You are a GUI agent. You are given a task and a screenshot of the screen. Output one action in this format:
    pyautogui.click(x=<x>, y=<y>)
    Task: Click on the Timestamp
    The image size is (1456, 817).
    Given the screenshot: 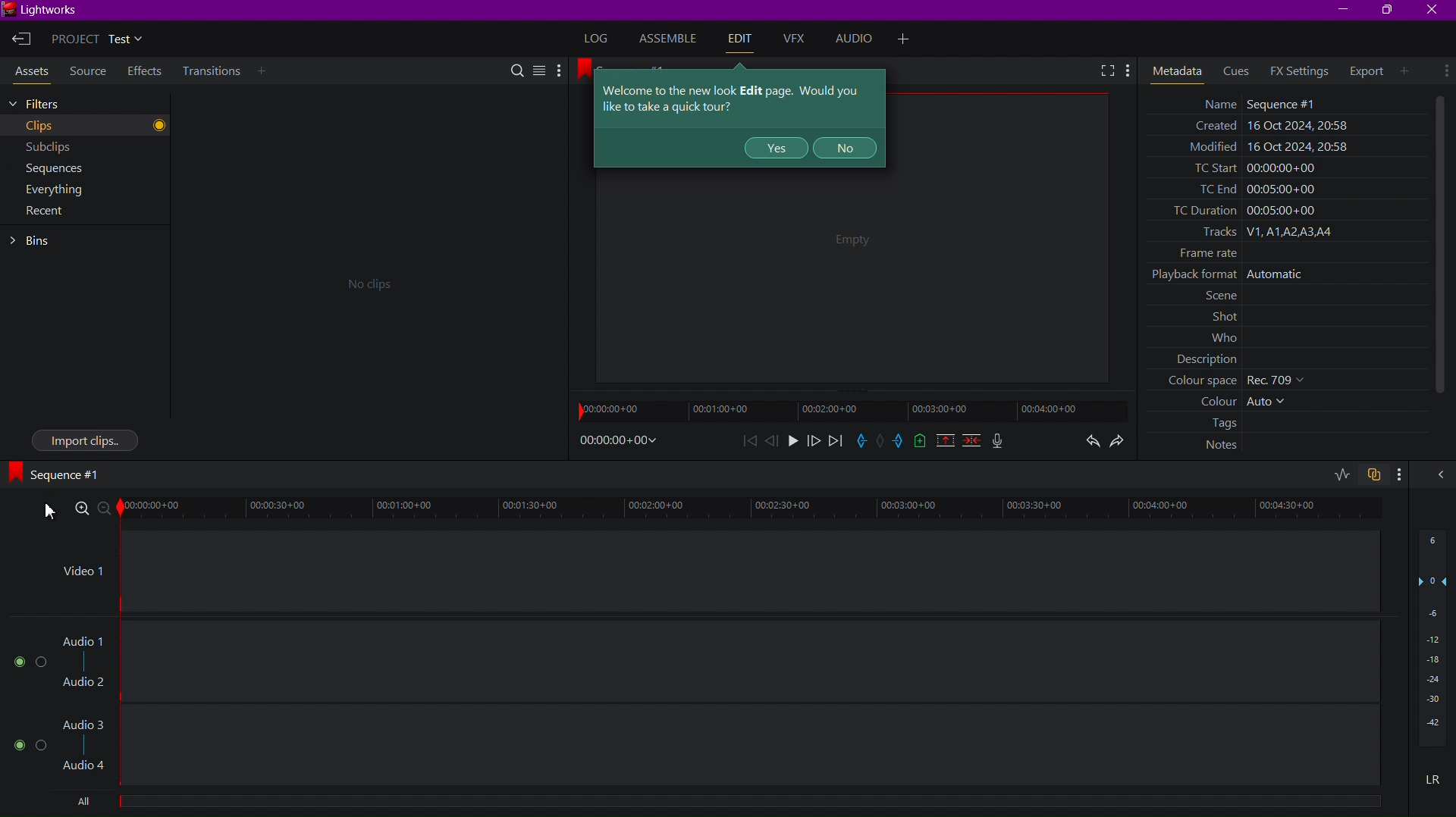 What is the action you would take?
    pyautogui.click(x=626, y=441)
    